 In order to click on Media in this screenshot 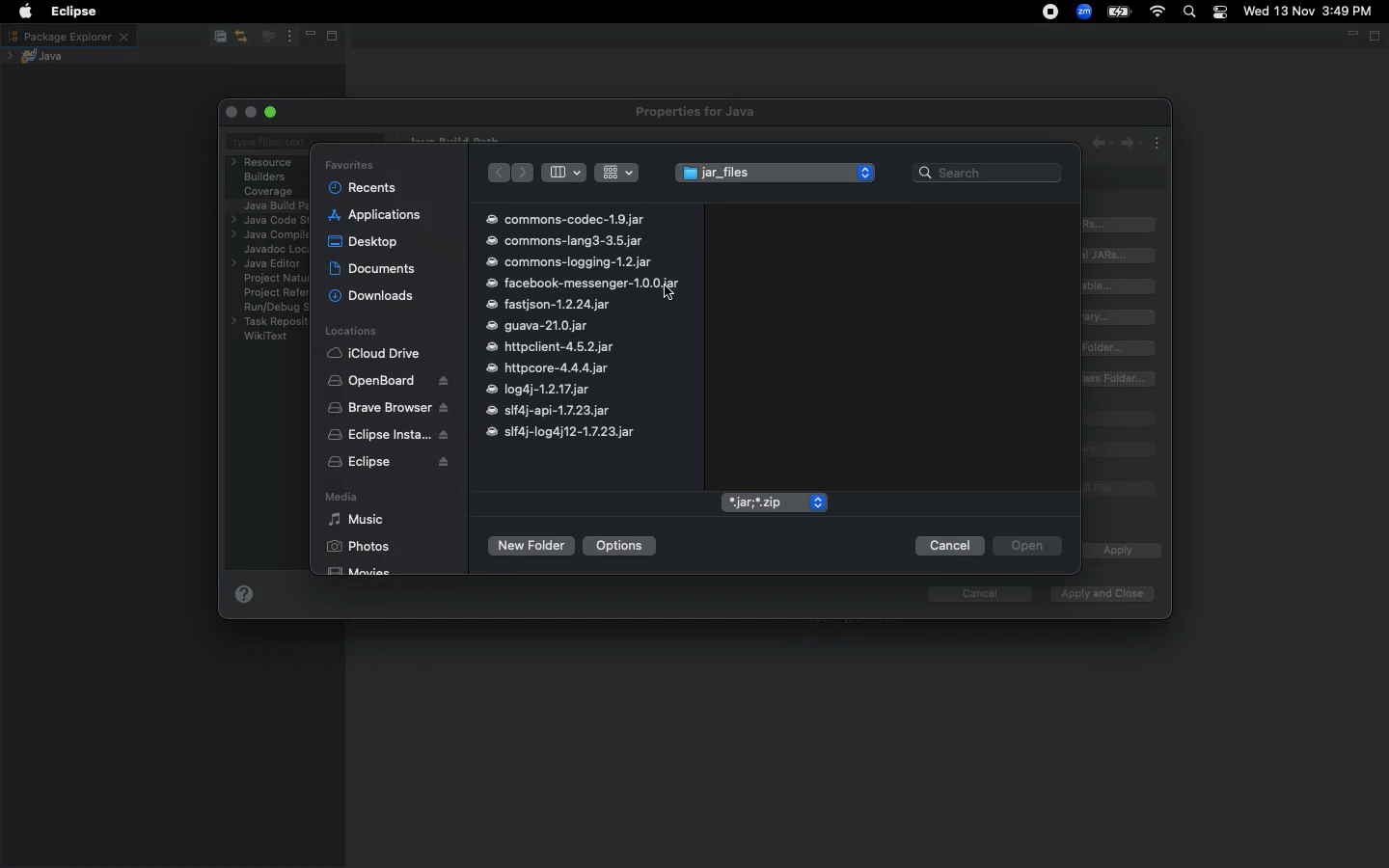, I will do `click(340, 499)`.